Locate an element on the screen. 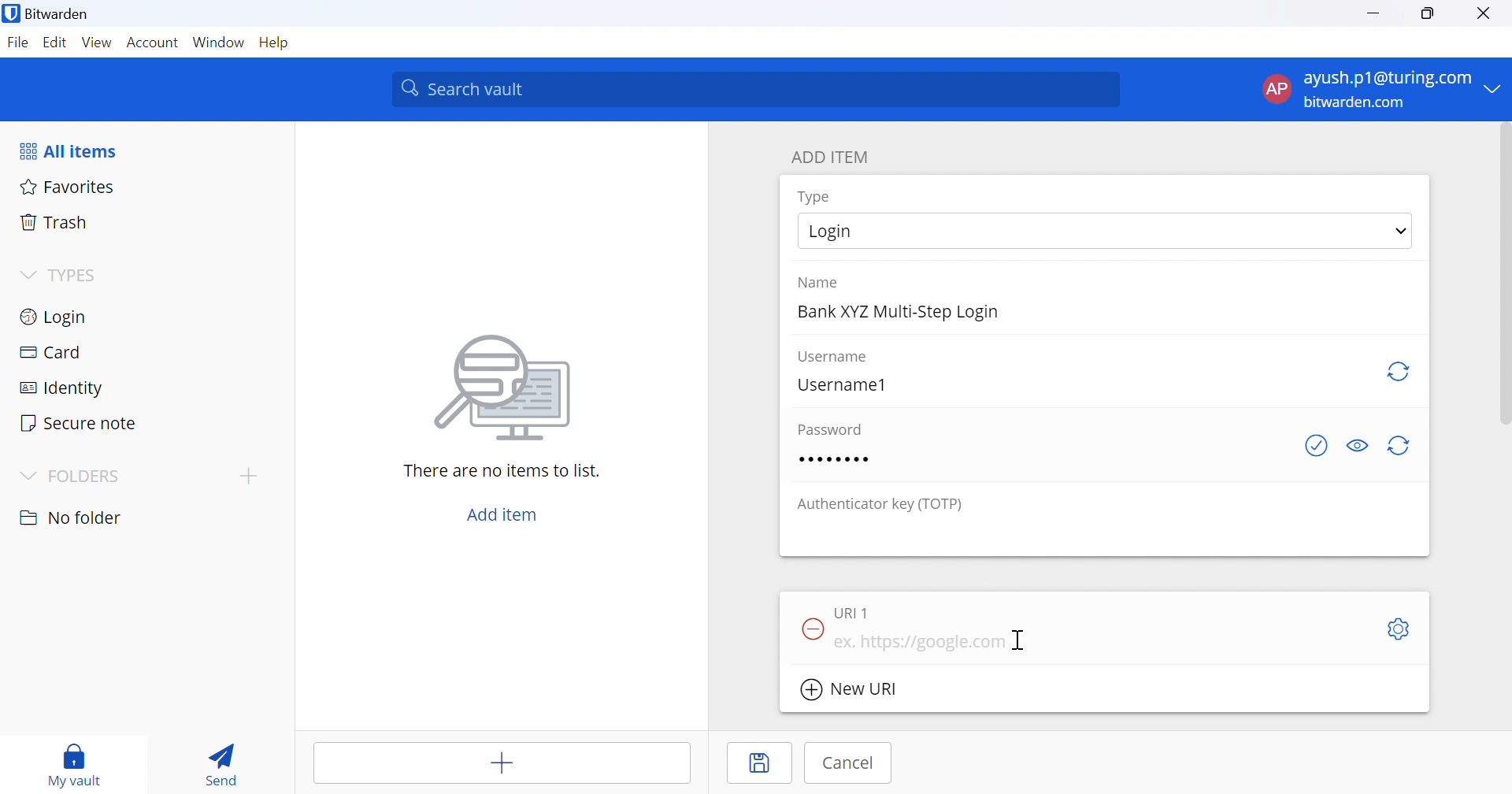 This screenshot has width=1512, height=794. There are no items to list. is located at coordinates (502, 471).